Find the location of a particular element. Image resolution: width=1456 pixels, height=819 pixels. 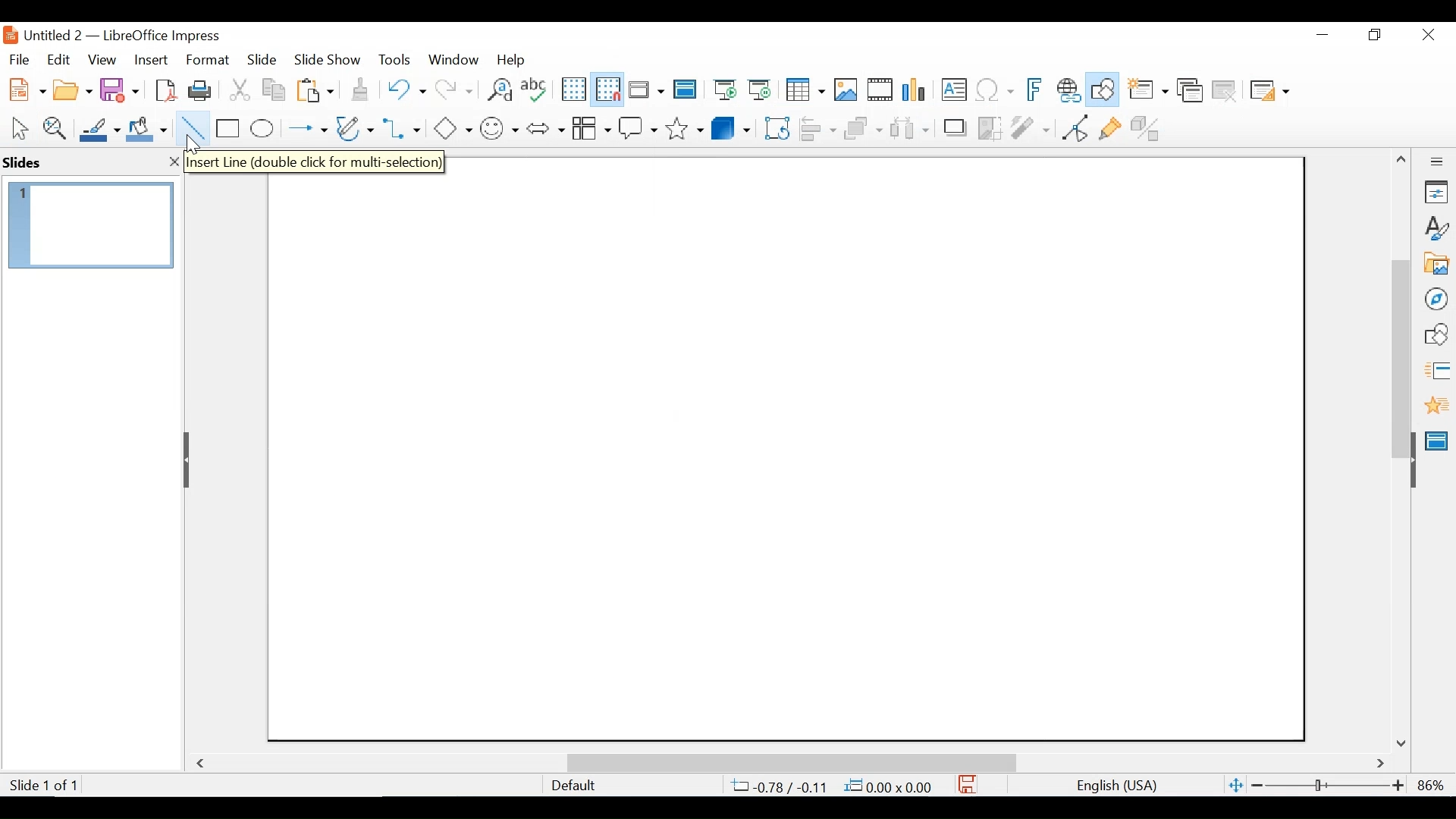

Basic Shapes is located at coordinates (452, 127).